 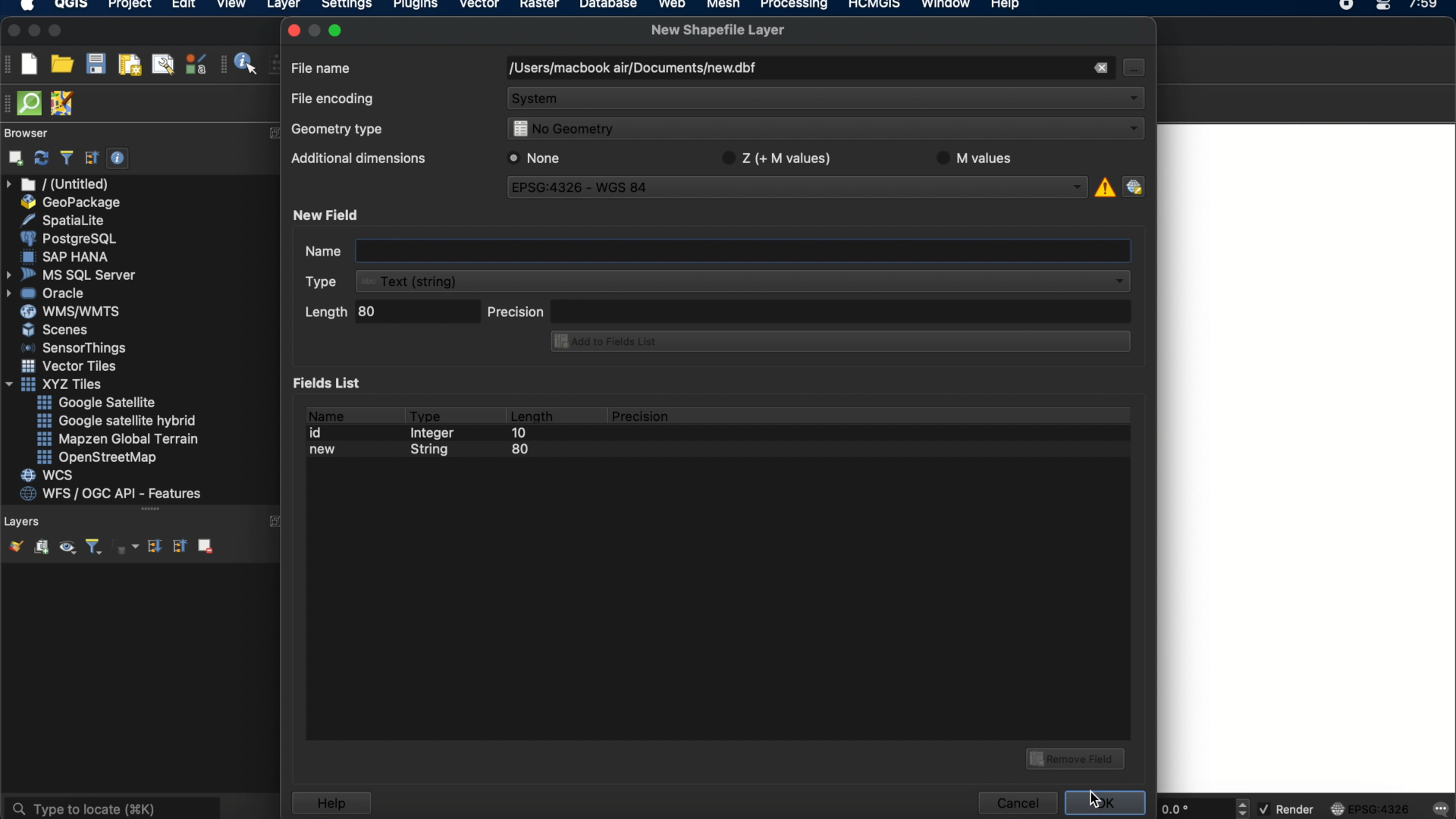 I want to click on sensorthings, so click(x=74, y=348).